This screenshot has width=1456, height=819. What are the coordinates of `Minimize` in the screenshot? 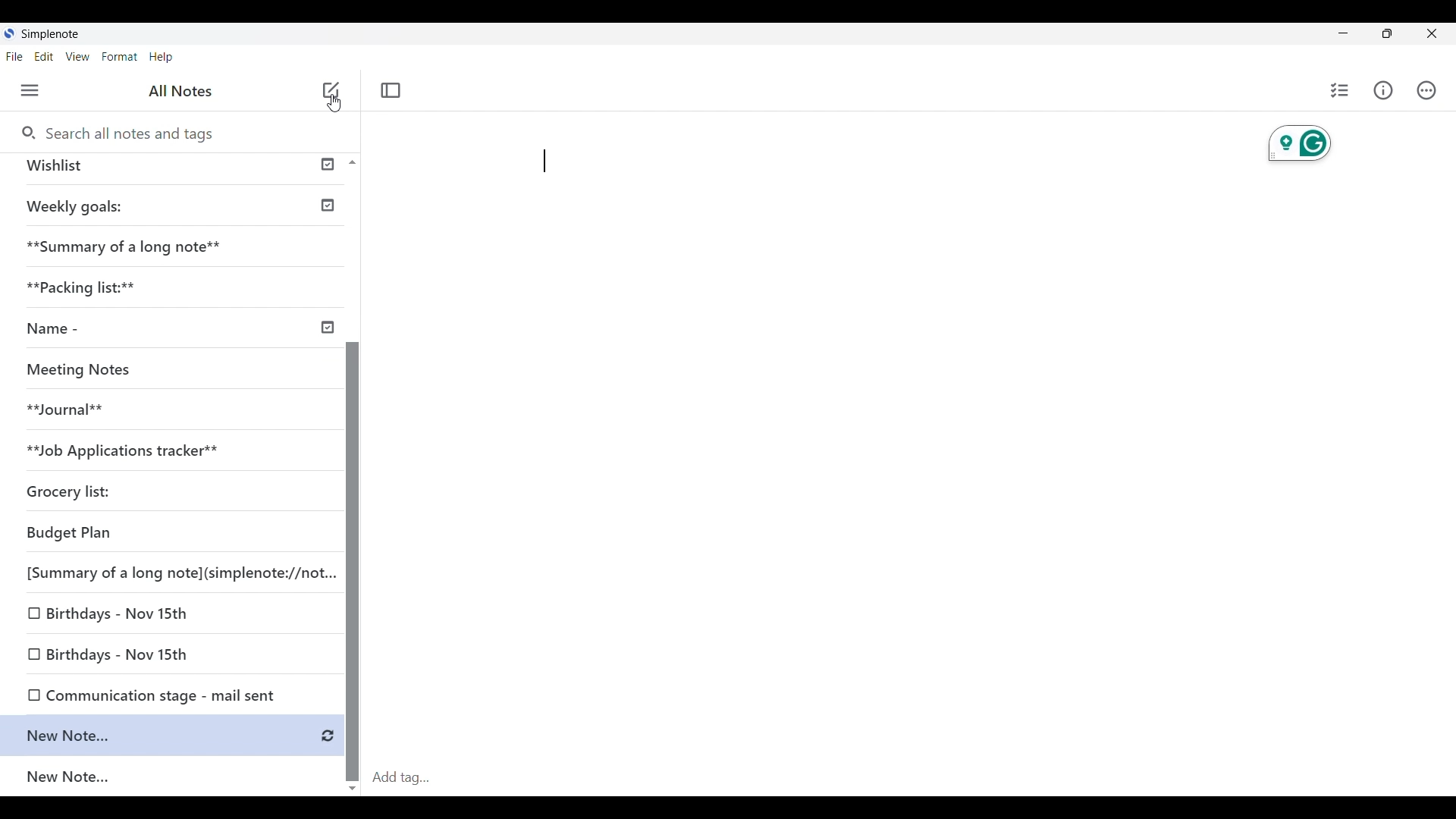 It's located at (1343, 33).